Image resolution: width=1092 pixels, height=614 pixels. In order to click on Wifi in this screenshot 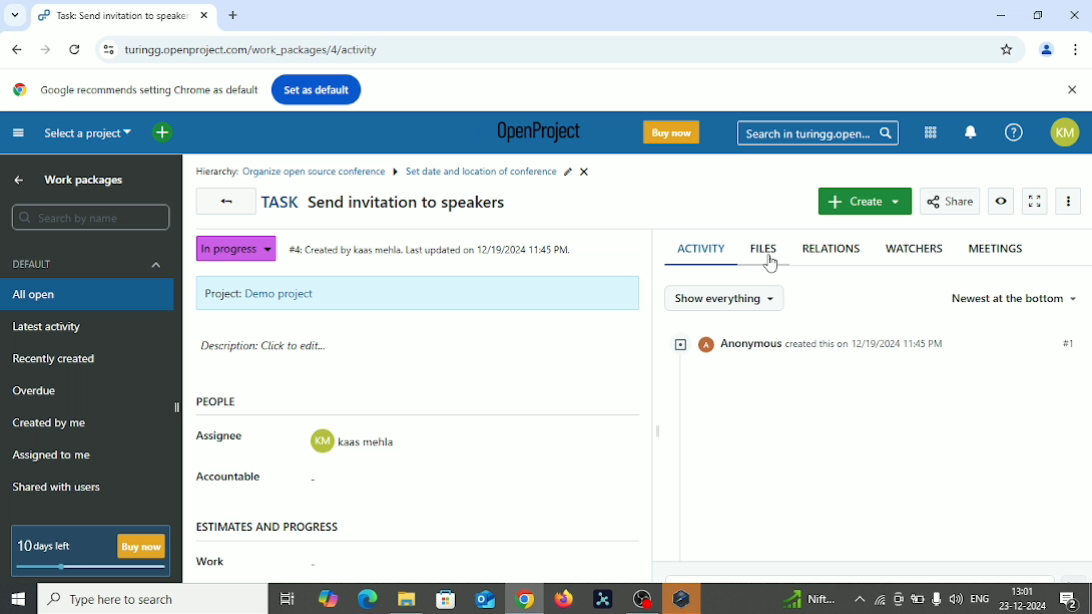, I will do `click(877, 599)`.